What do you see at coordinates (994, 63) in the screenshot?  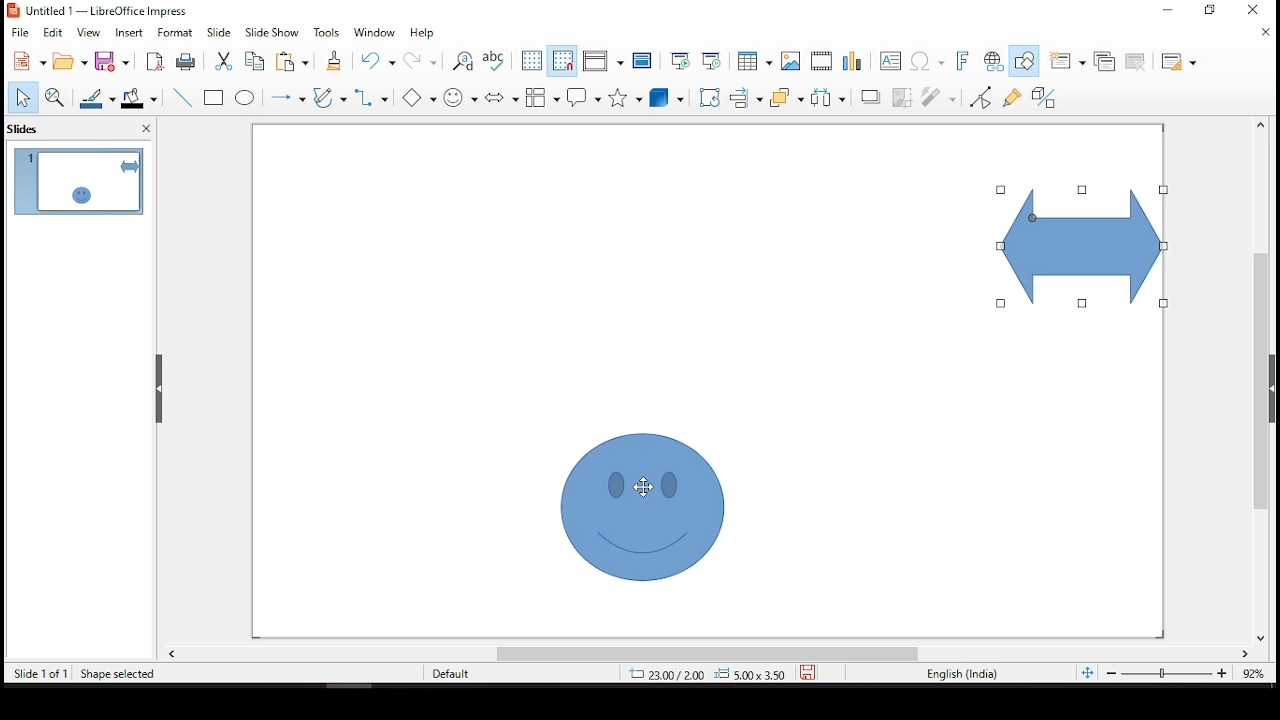 I see `insert hyperlink` at bounding box center [994, 63].